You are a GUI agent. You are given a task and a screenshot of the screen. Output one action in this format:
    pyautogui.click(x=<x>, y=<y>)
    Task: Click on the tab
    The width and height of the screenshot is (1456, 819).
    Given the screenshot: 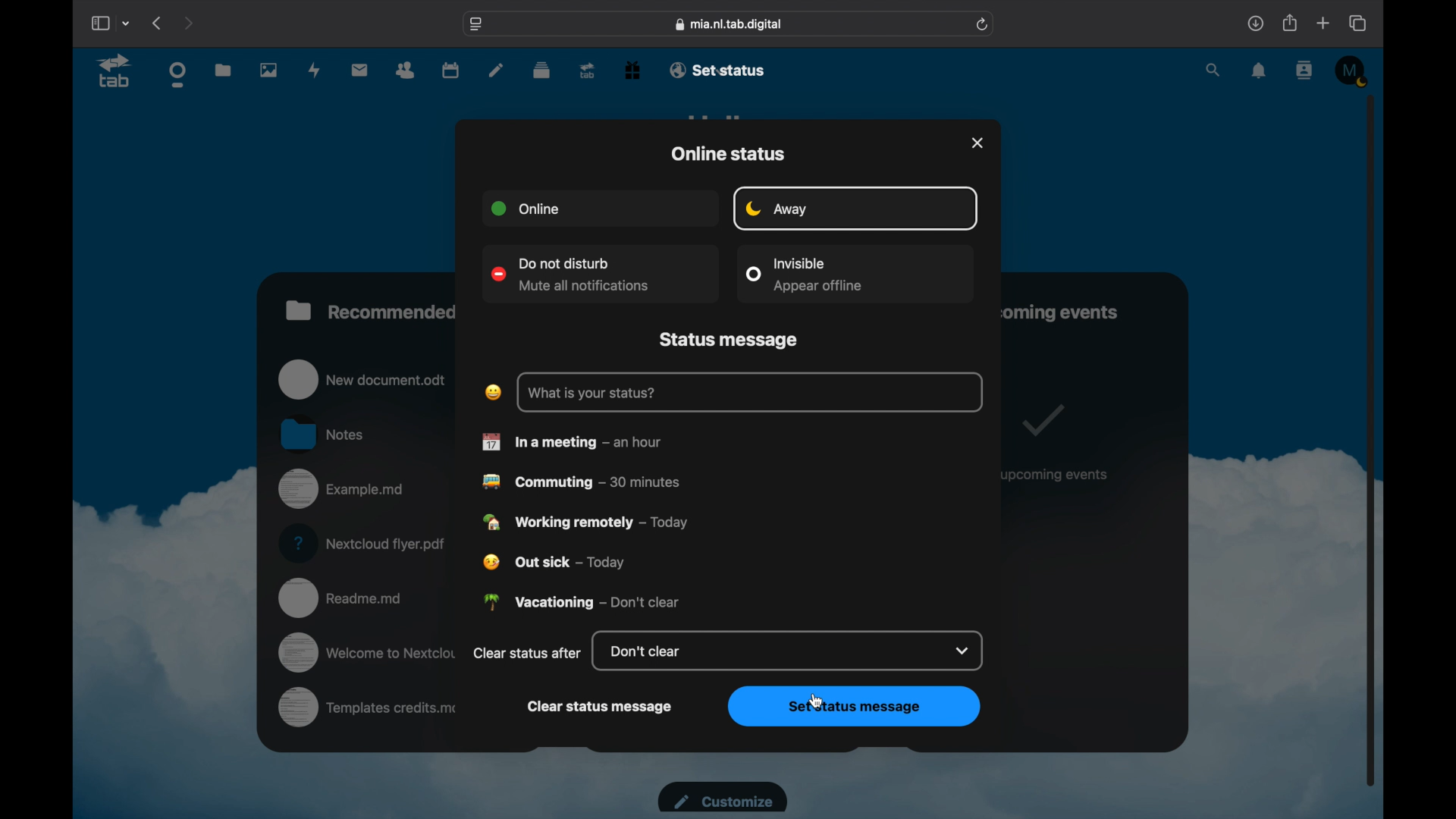 What is the action you would take?
    pyautogui.click(x=588, y=70)
    